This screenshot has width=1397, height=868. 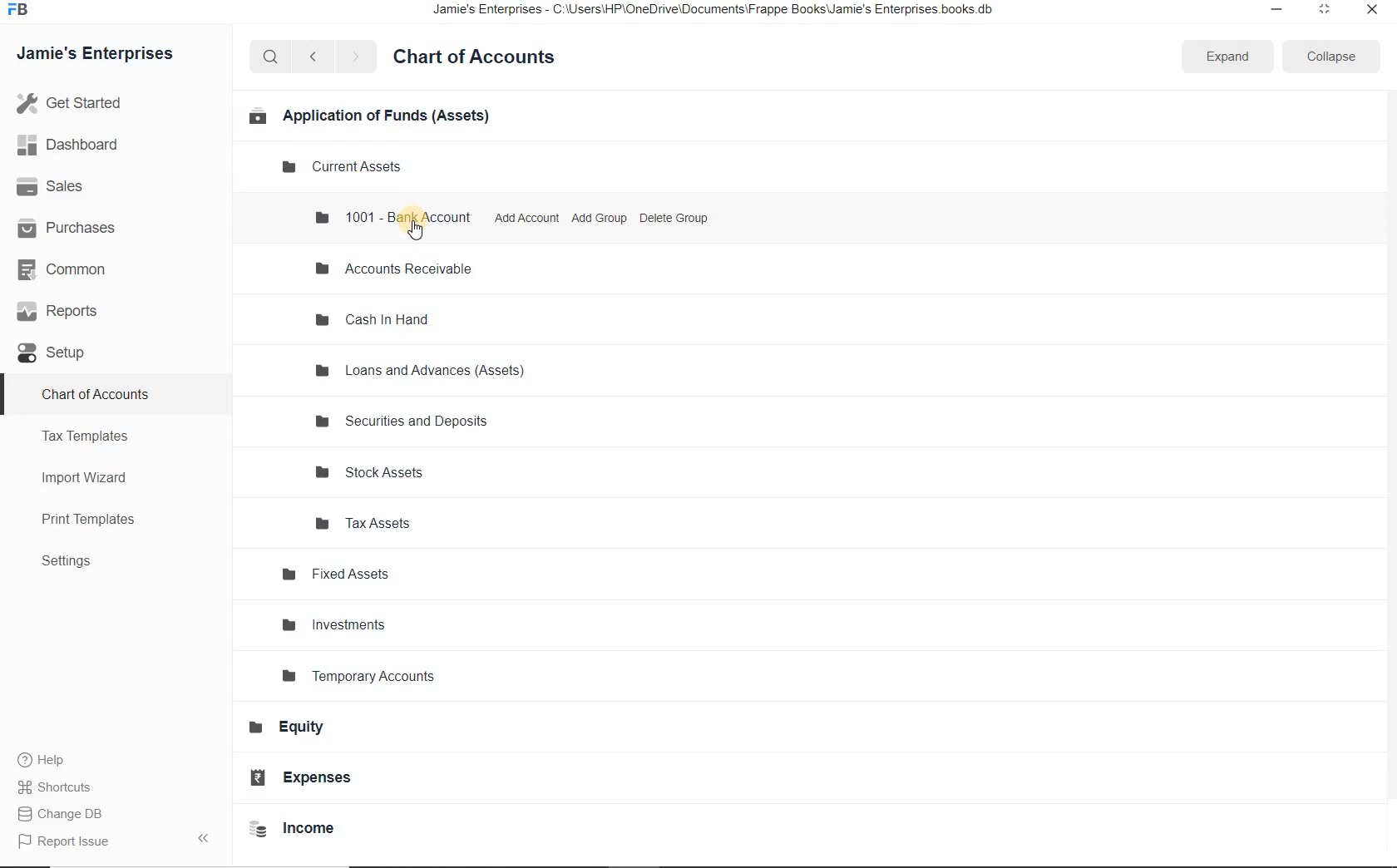 I want to click on Temporary Accounts, so click(x=368, y=677).